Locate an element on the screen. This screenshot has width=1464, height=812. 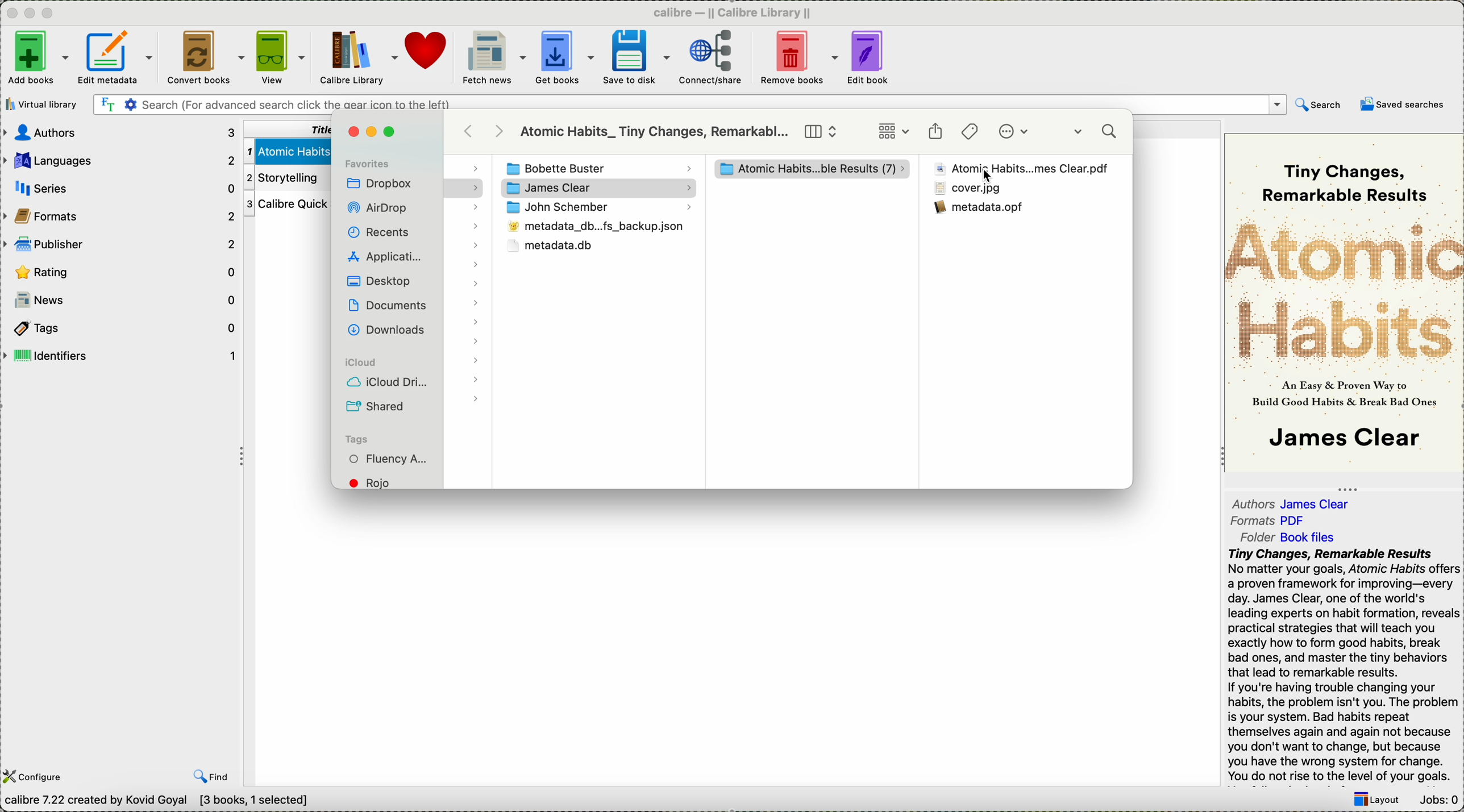
Downloads is located at coordinates (384, 328).